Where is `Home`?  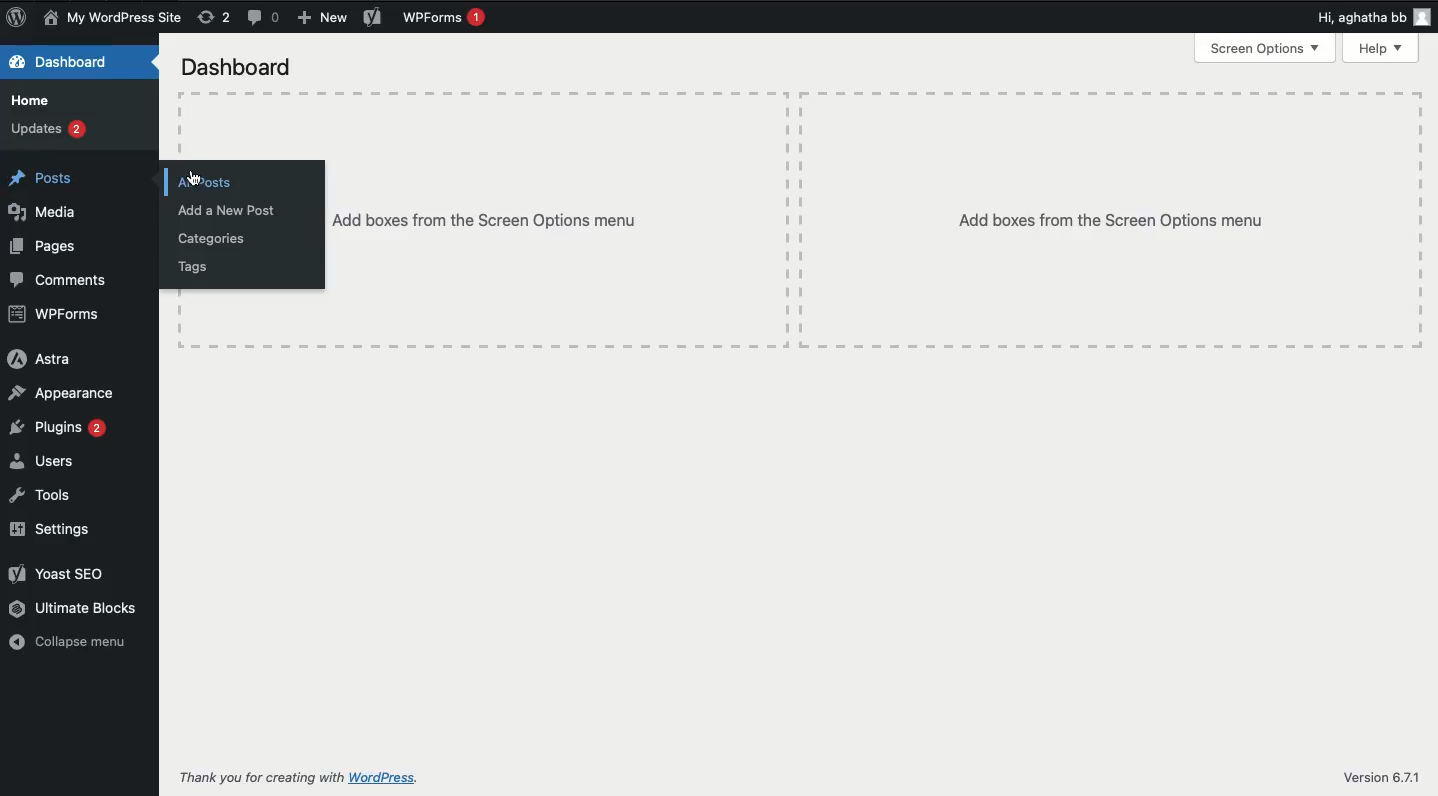 Home is located at coordinates (30, 101).